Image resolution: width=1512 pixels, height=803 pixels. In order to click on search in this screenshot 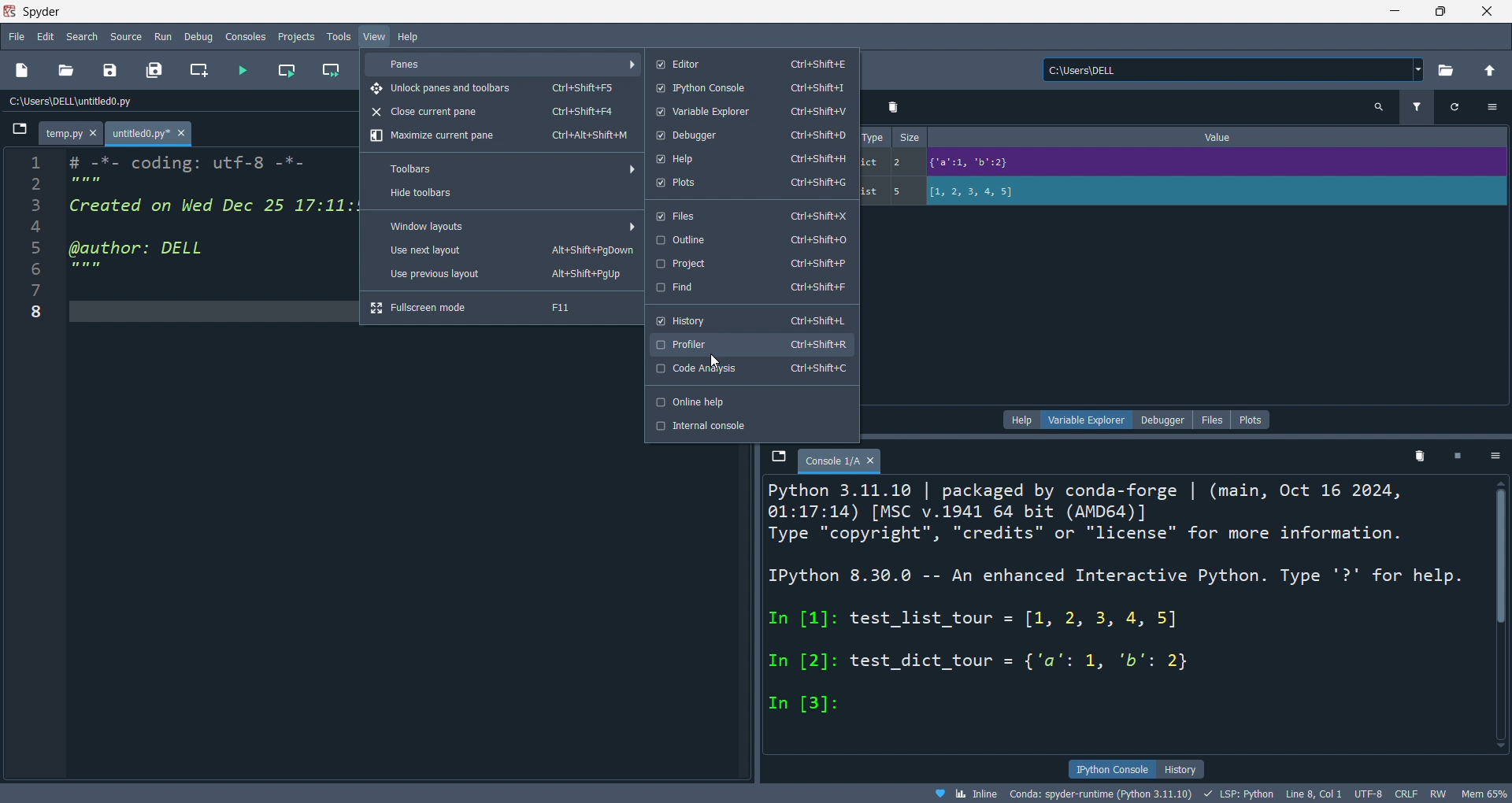, I will do `click(1380, 109)`.